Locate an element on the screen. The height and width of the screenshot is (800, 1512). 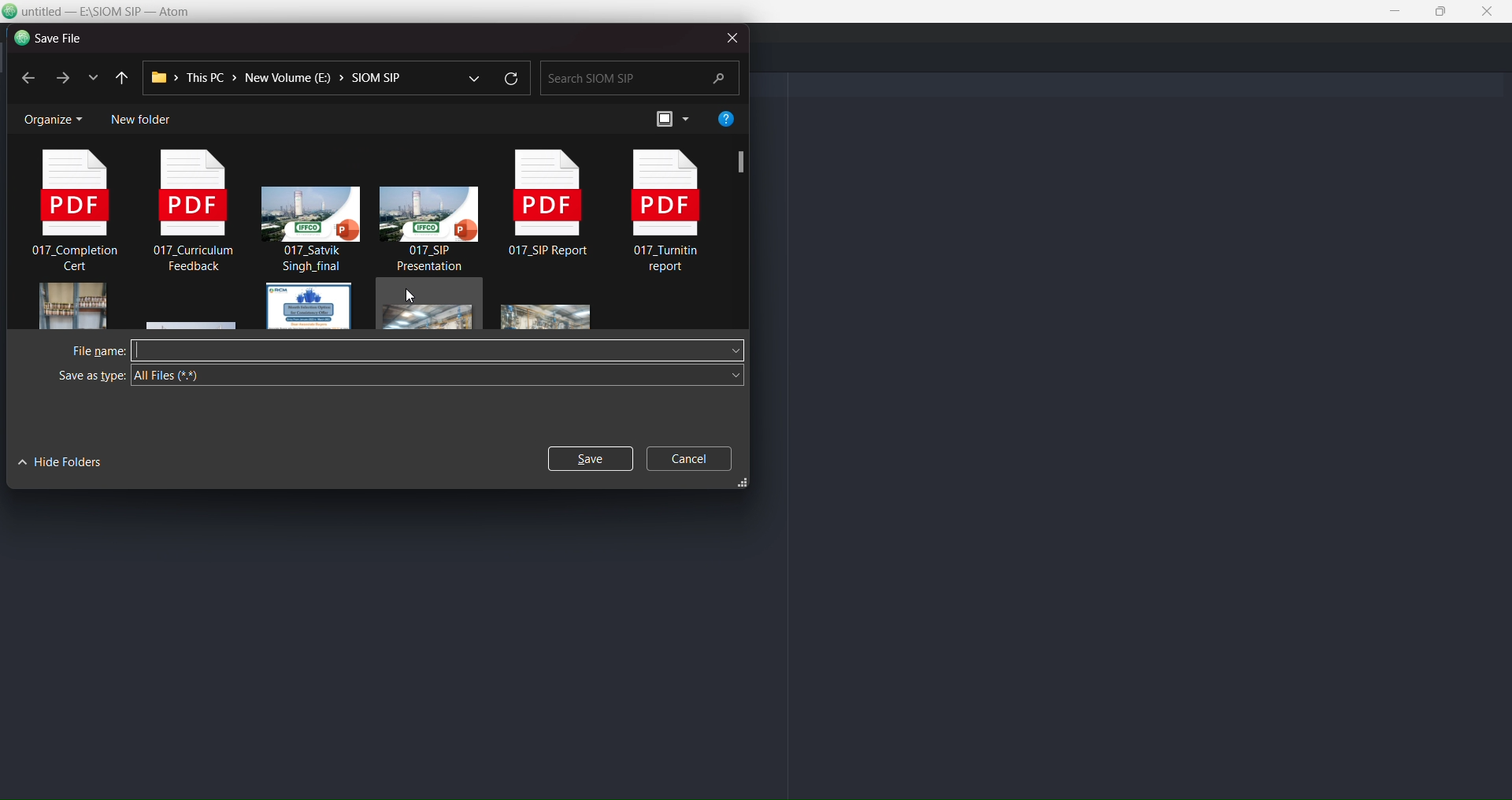
write filename is located at coordinates (421, 350).